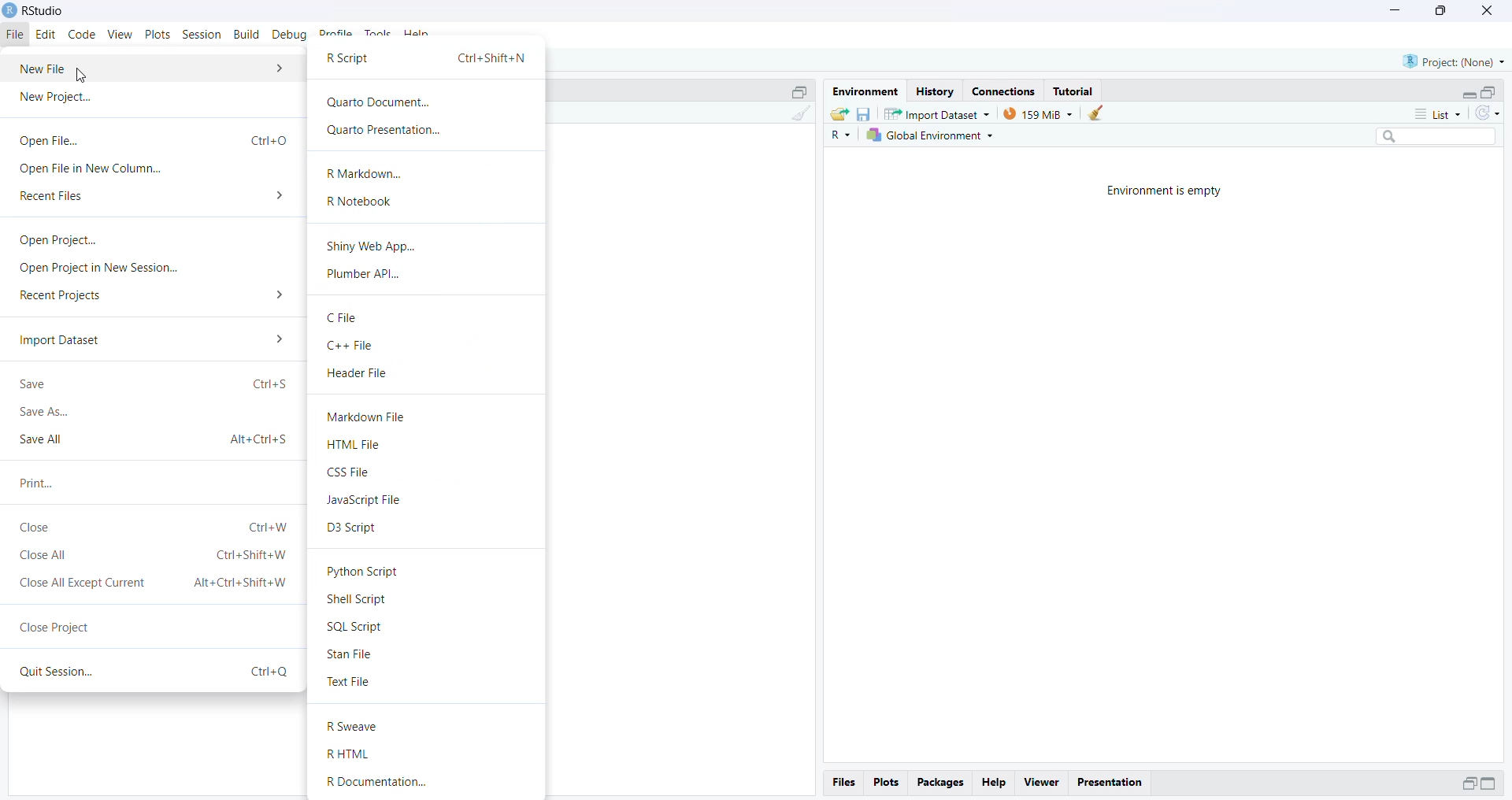 Image resolution: width=1512 pixels, height=800 pixels. What do you see at coordinates (864, 91) in the screenshot?
I see `environment` at bounding box center [864, 91].